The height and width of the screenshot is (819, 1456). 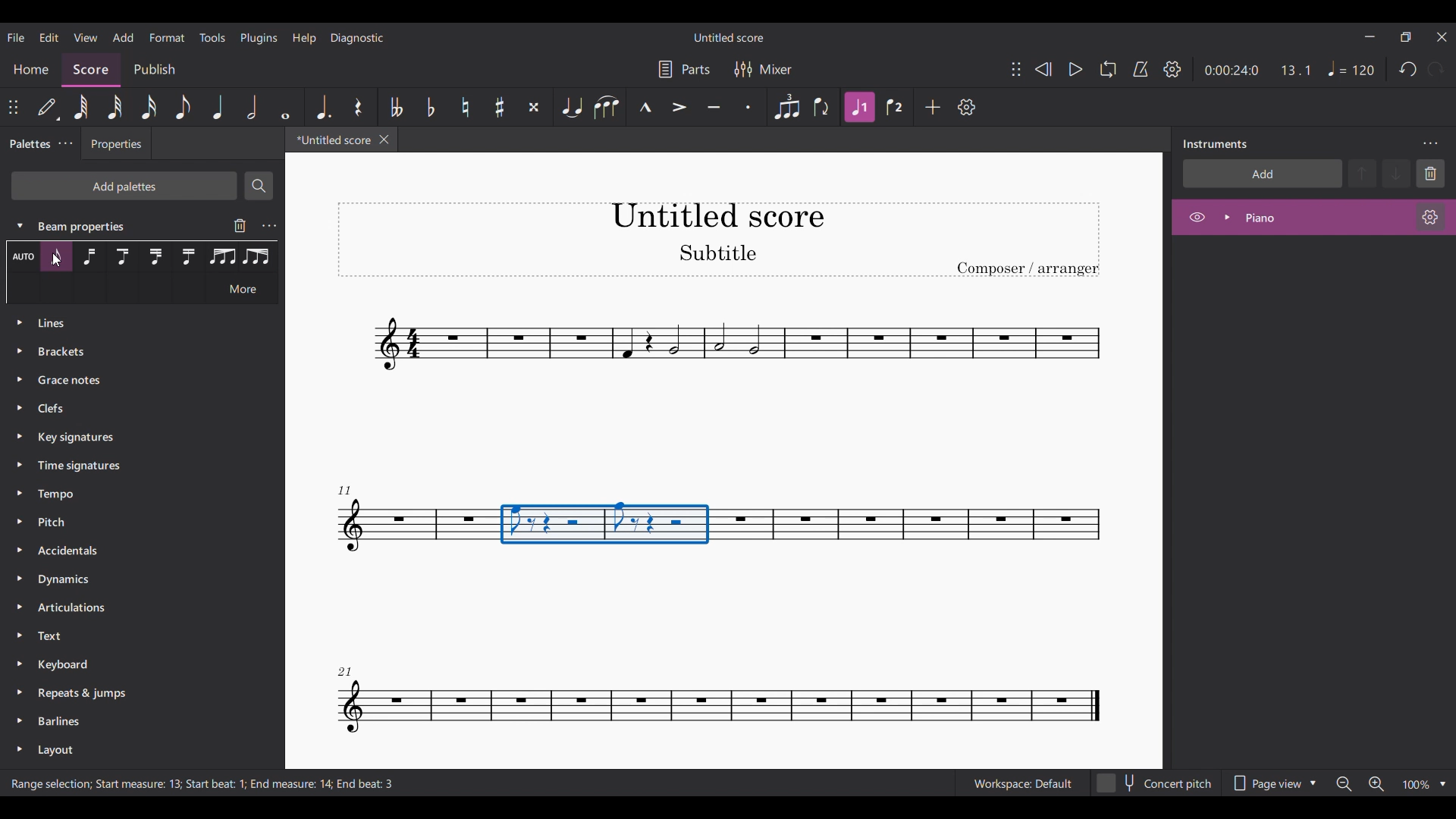 I want to click on File menu, so click(x=15, y=37).